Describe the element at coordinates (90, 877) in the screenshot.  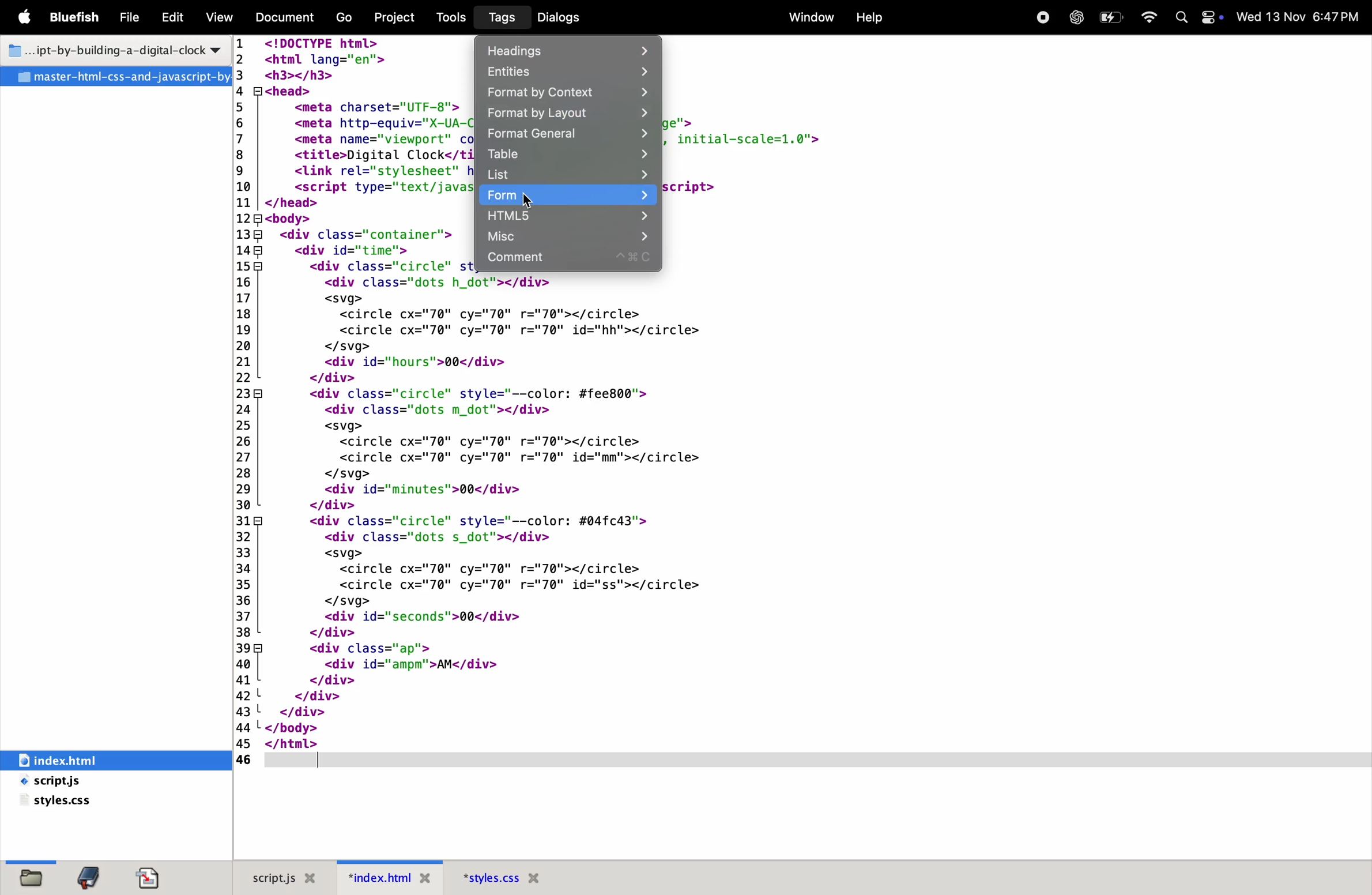
I see `bookmarks` at that location.